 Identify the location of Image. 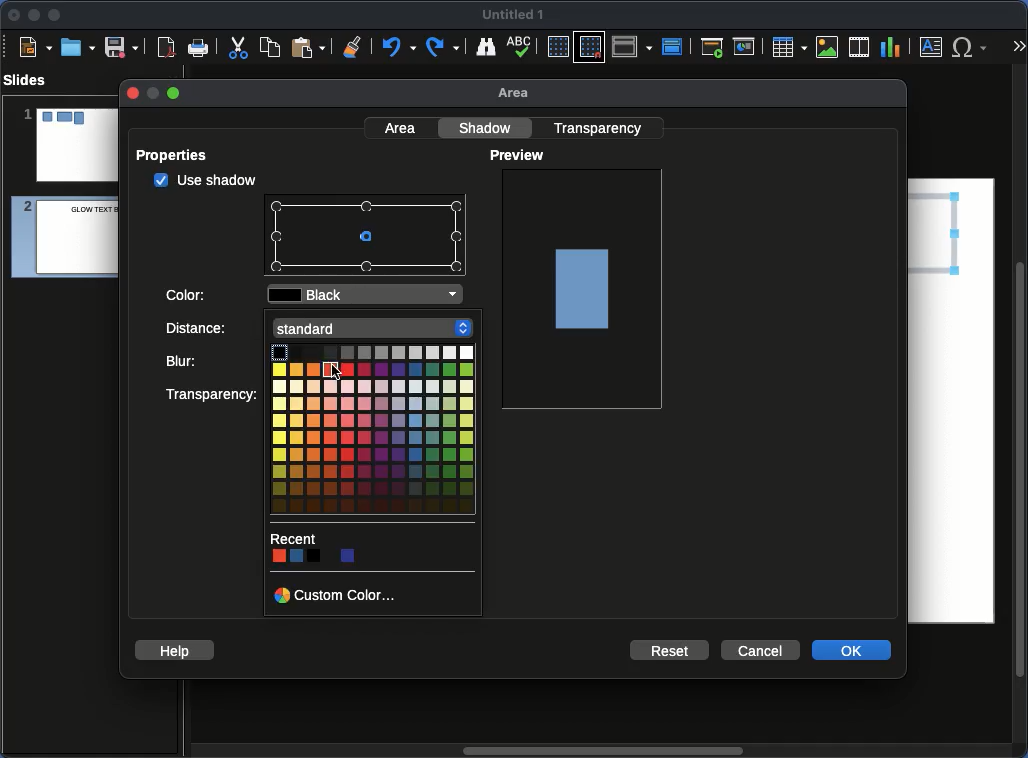
(828, 47).